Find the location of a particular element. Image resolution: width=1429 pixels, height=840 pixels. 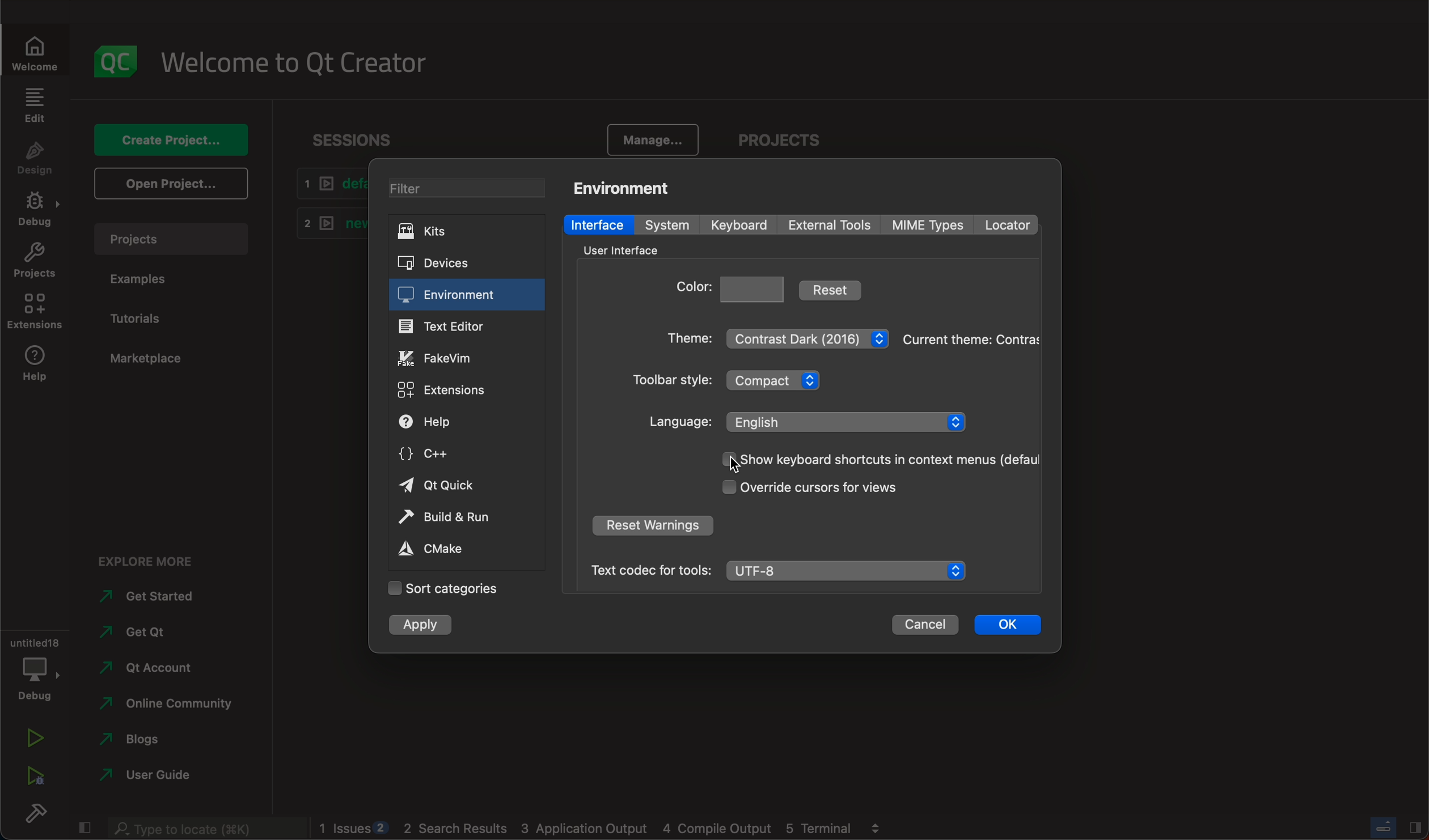

qt quick is located at coordinates (441, 487).